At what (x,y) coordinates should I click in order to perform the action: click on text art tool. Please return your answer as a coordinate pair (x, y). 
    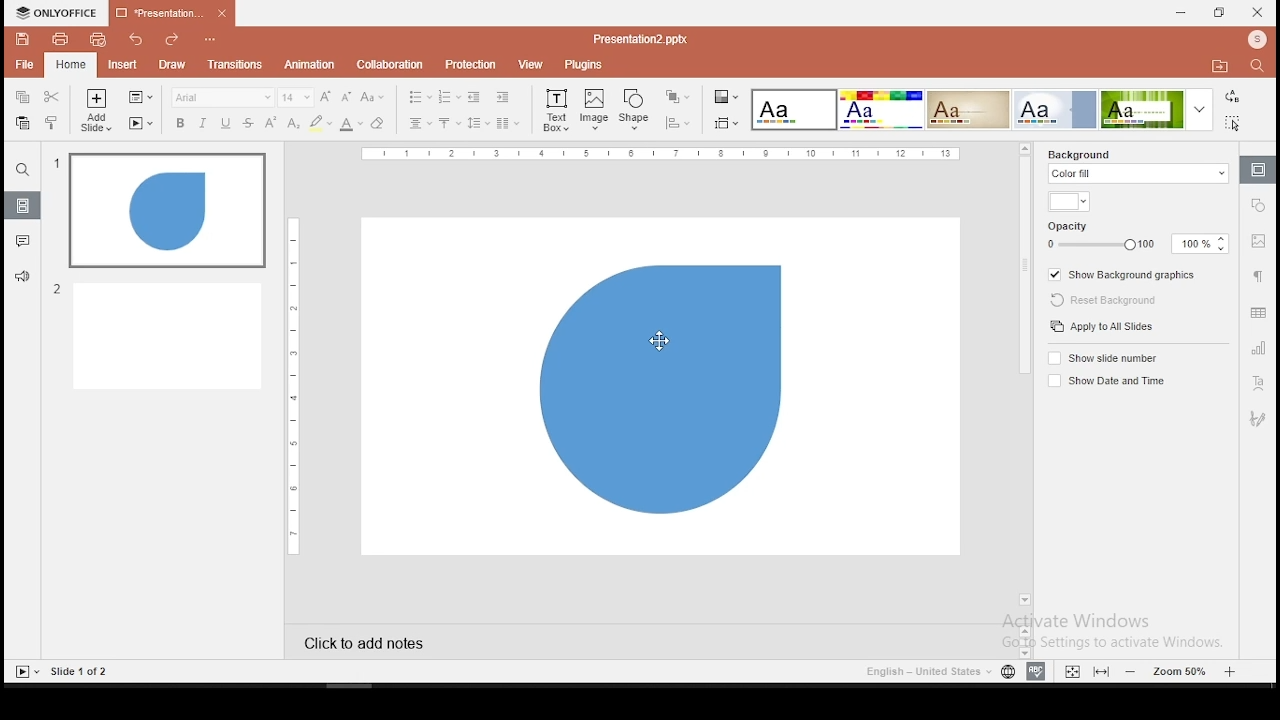
    Looking at the image, I should click on (1260, 382).